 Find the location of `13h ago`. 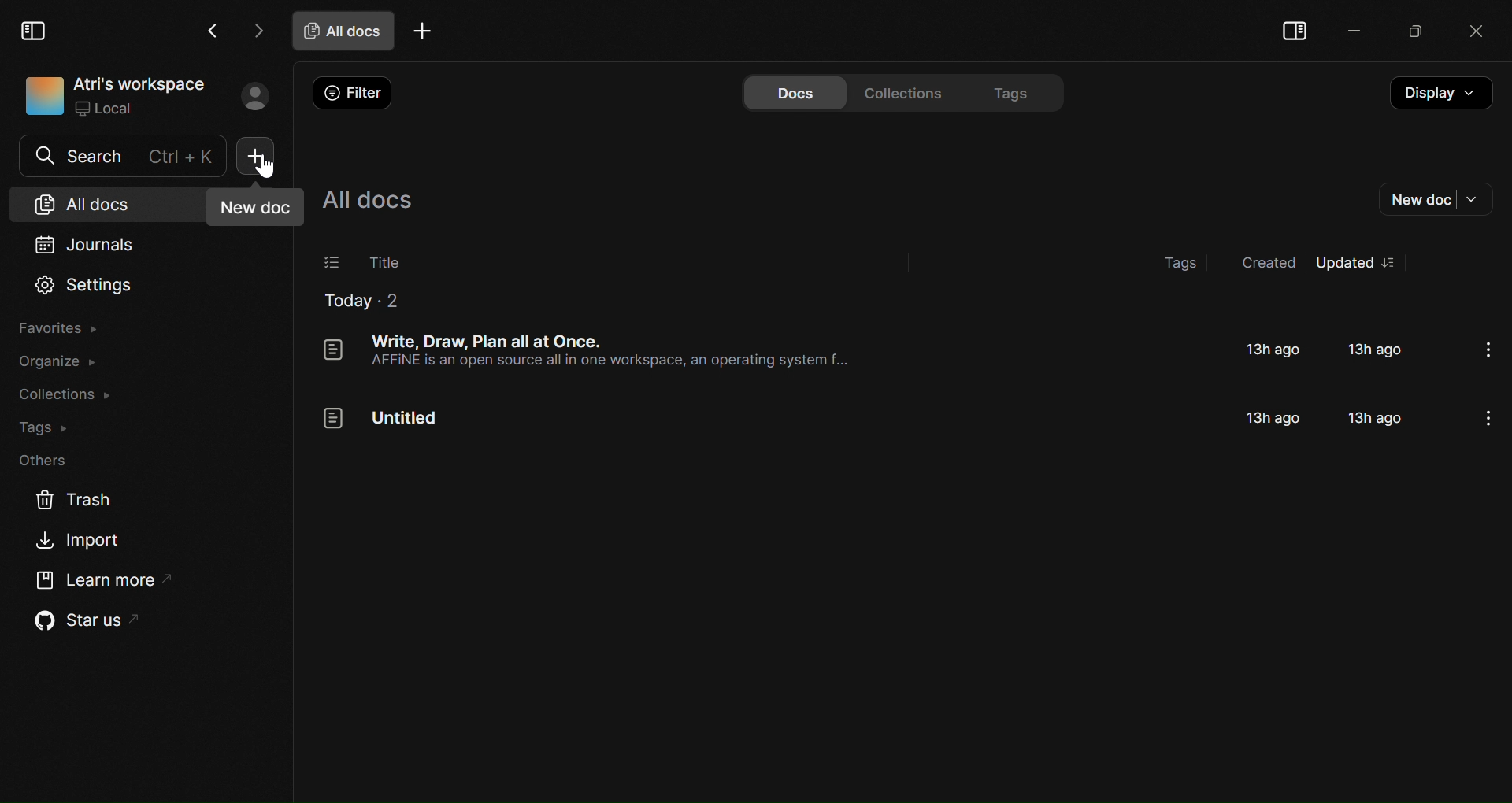

13h ago is located at coordinates (1274, 419).